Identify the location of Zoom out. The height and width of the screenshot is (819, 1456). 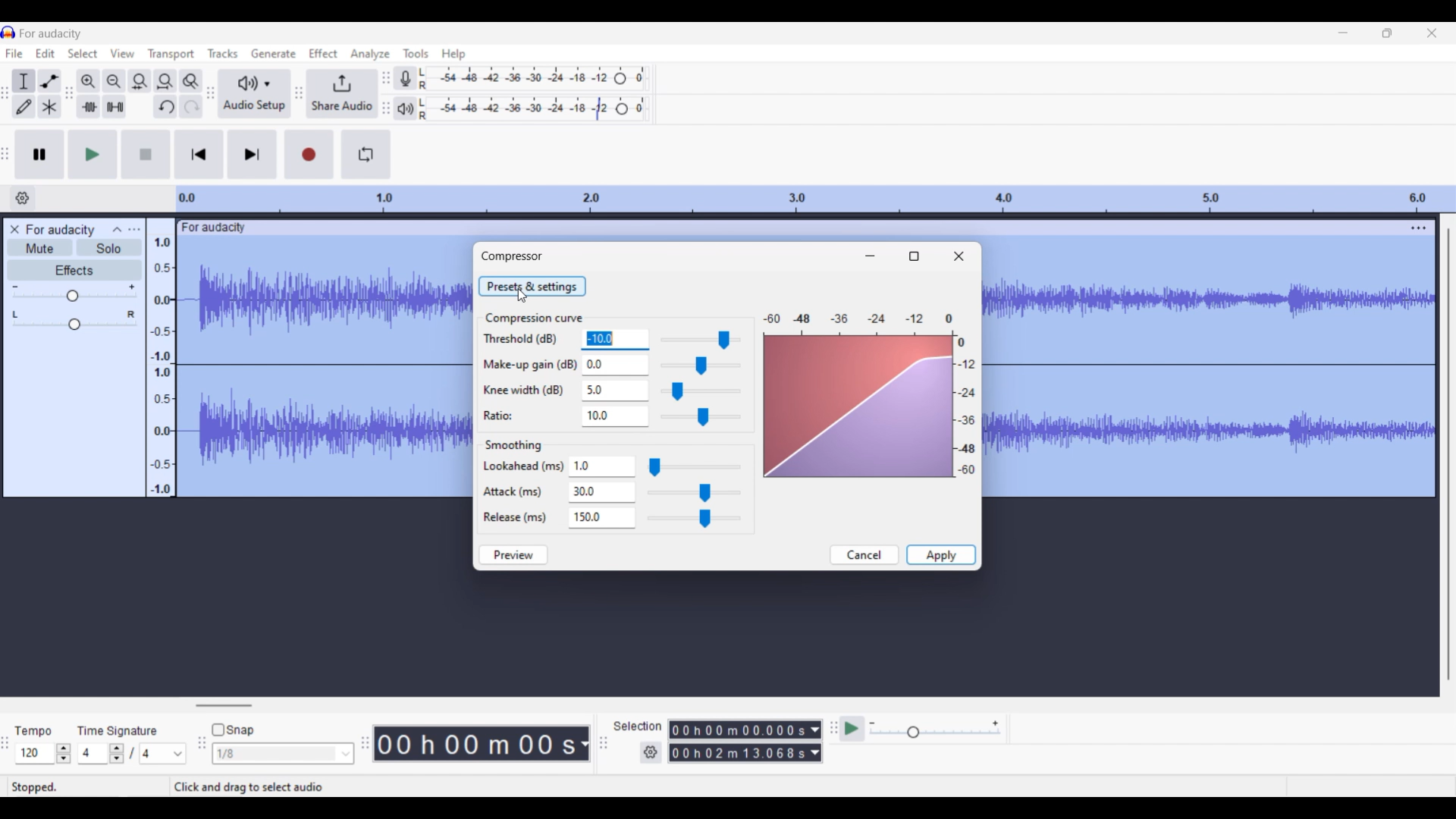
(115, 81).